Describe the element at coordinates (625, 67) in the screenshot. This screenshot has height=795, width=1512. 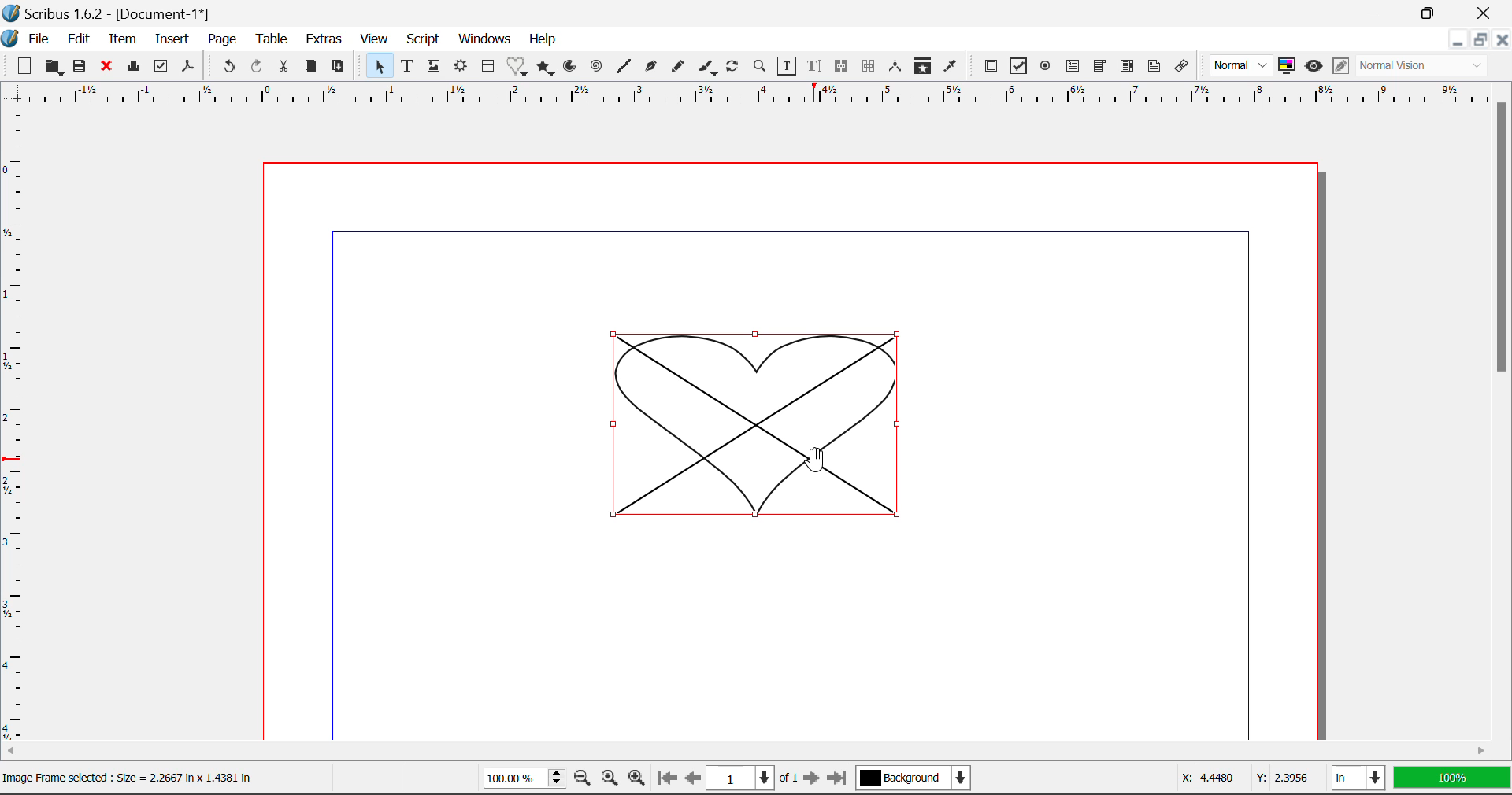
I see `Line` at that location.